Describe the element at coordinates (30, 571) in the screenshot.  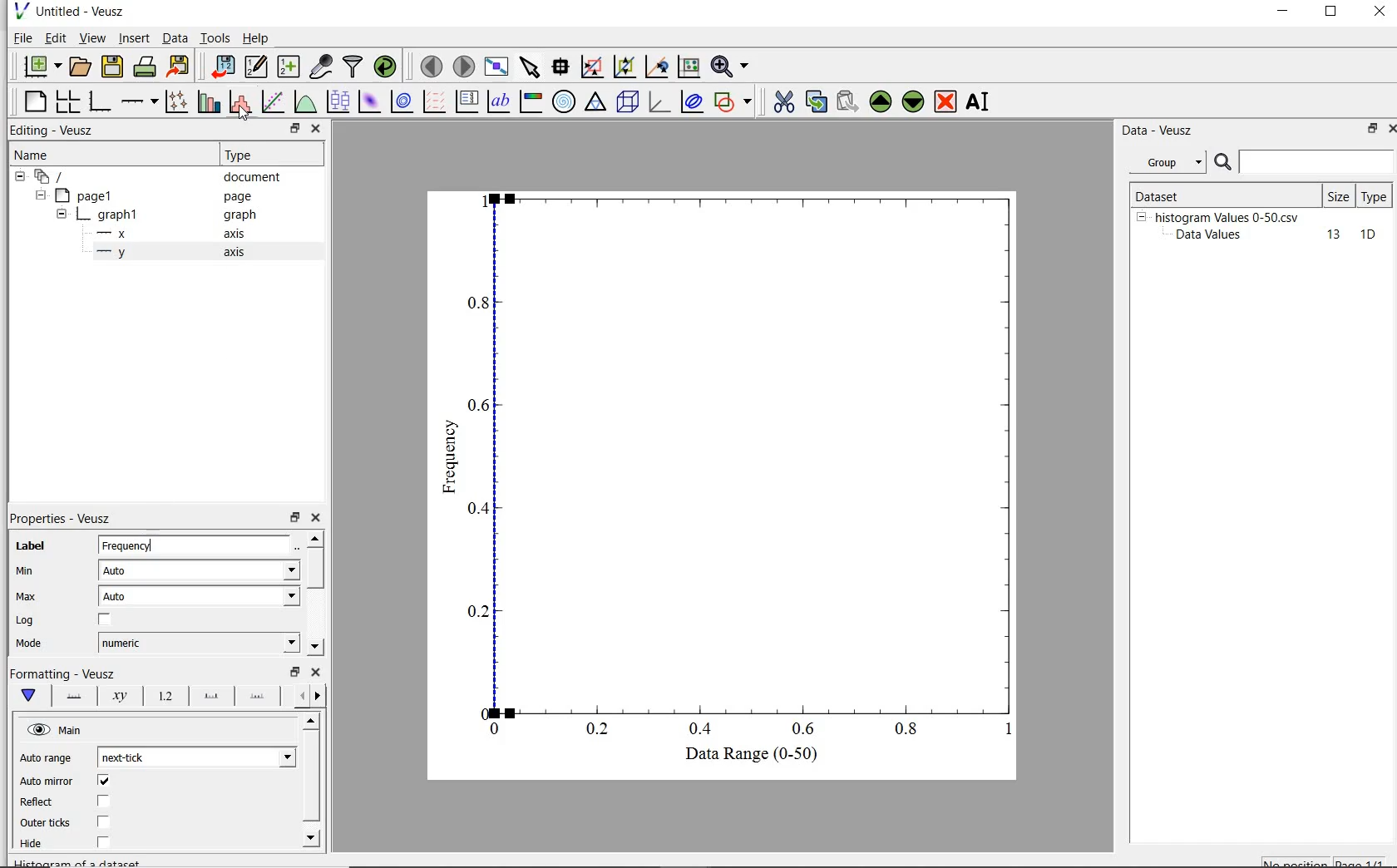
I see `min` at that location.